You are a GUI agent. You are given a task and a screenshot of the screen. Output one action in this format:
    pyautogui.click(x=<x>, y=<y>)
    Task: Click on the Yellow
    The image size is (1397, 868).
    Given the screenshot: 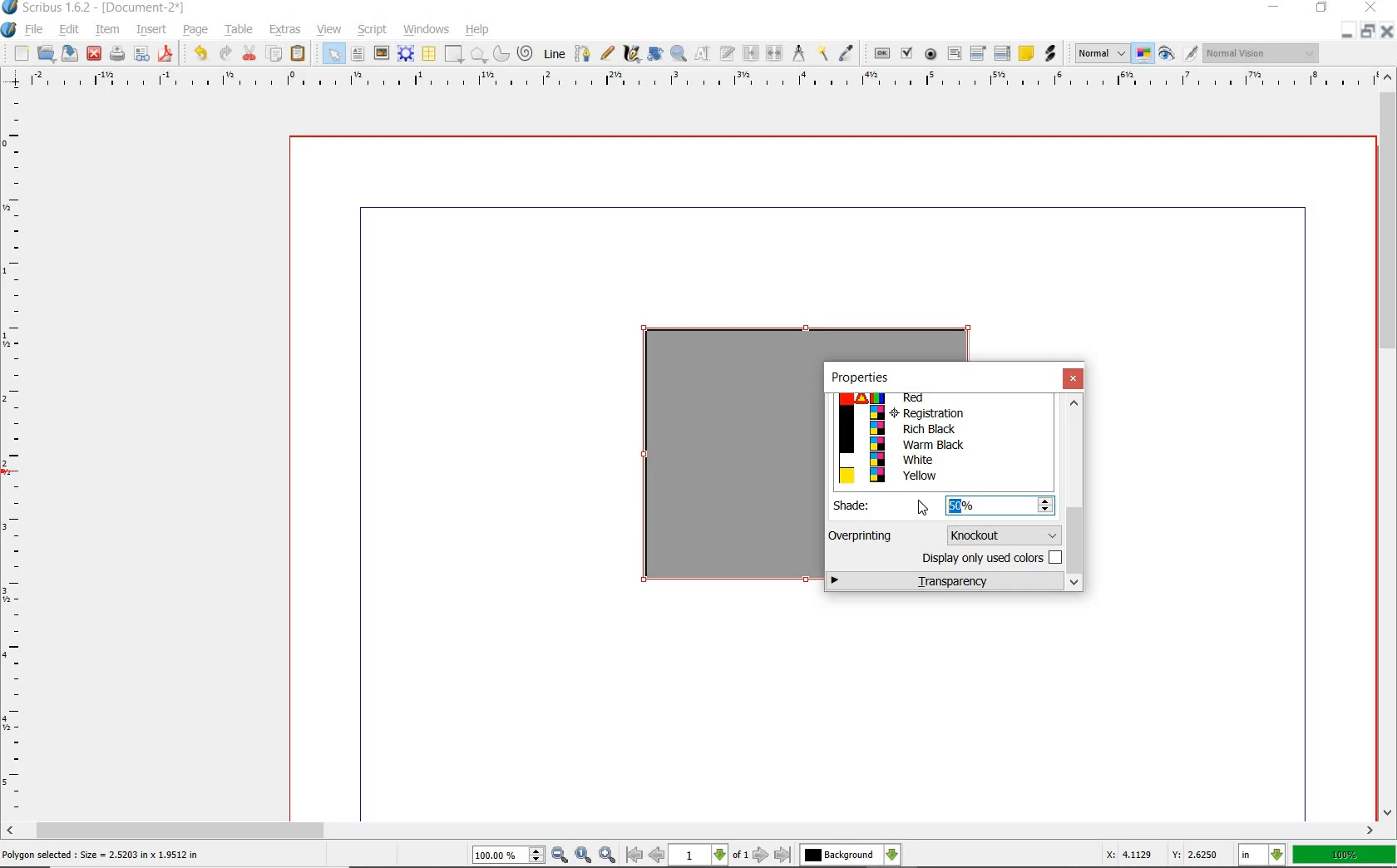 What is the action you would take?
    pyautogui.click(x=941, y=476)
    